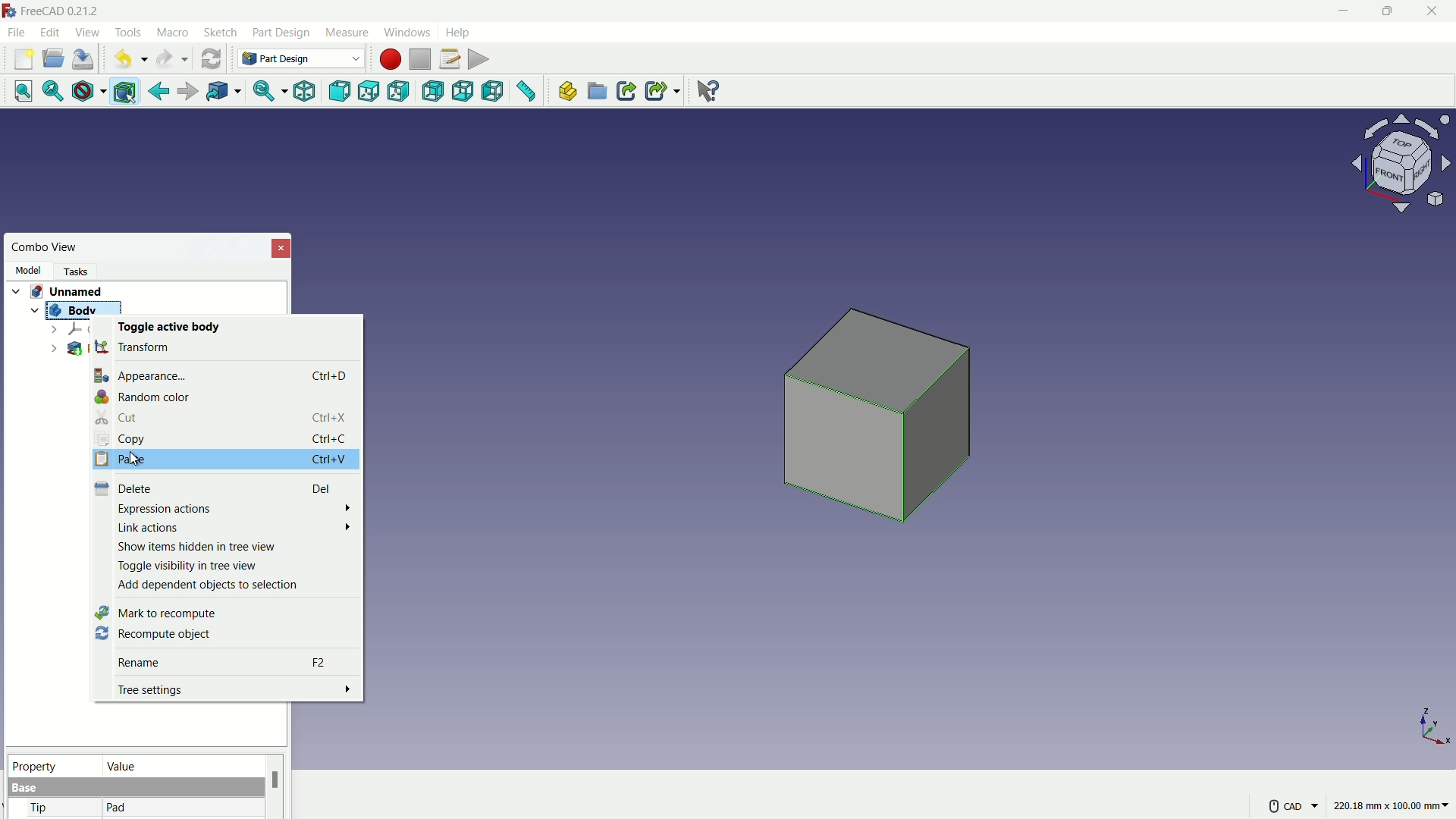 The image size is (1456, 819). I want to click on pad, so click(117, 808).